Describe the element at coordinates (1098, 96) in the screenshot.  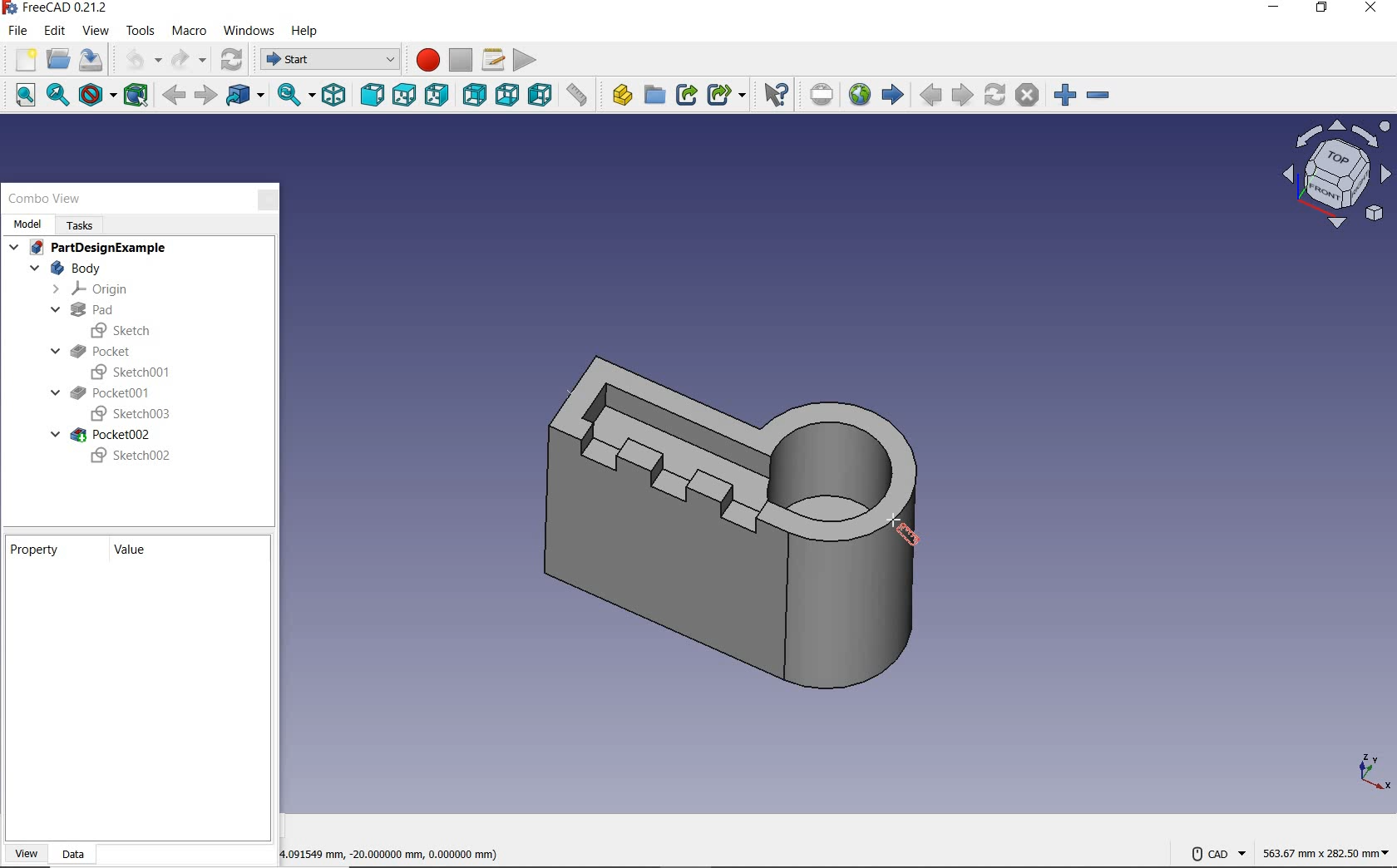
I see `zoom out` at that location.